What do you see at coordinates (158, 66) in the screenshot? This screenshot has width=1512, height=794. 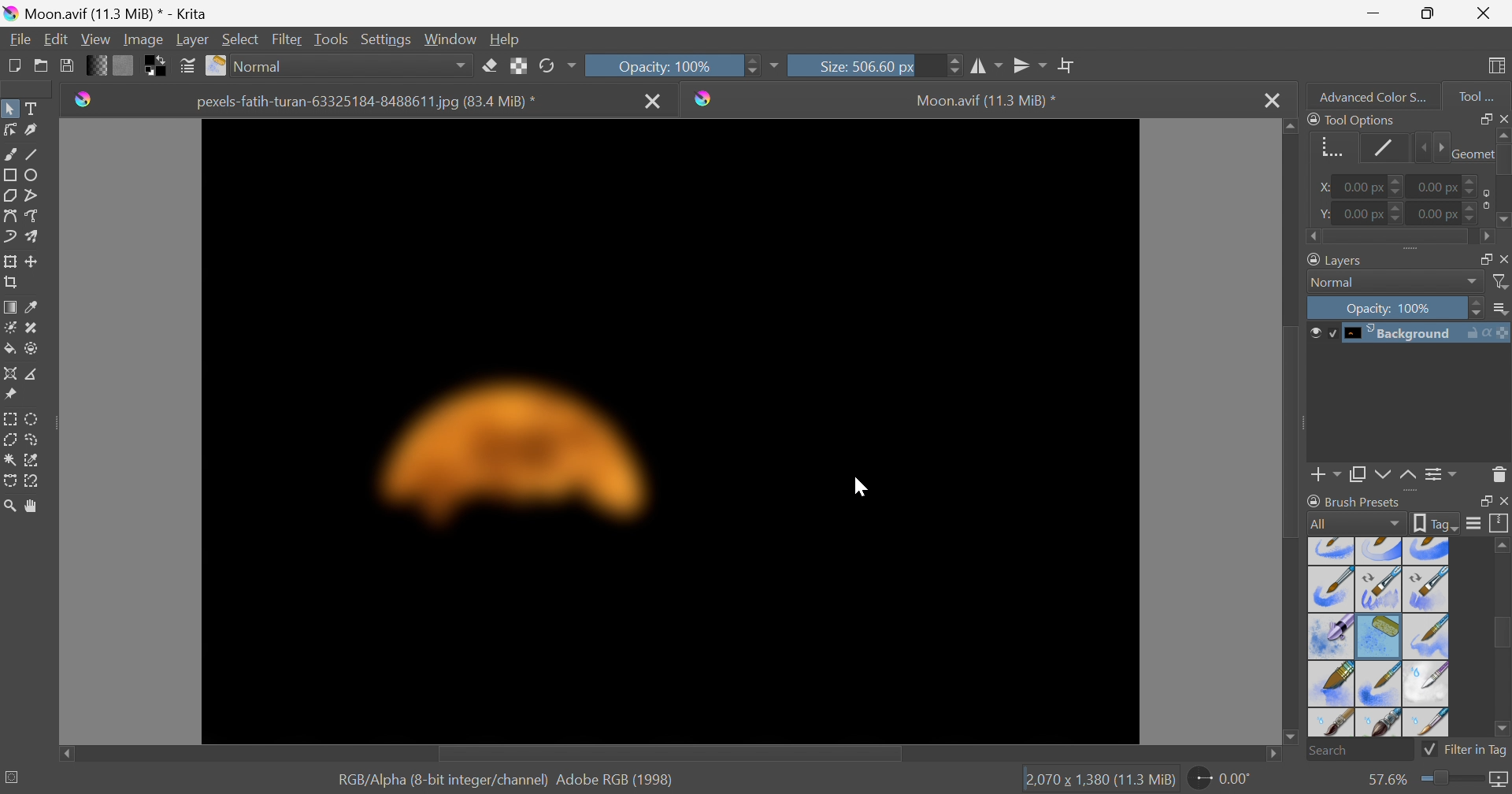 I see `Swap foreground and background colors` at bounding box center [158, 66].